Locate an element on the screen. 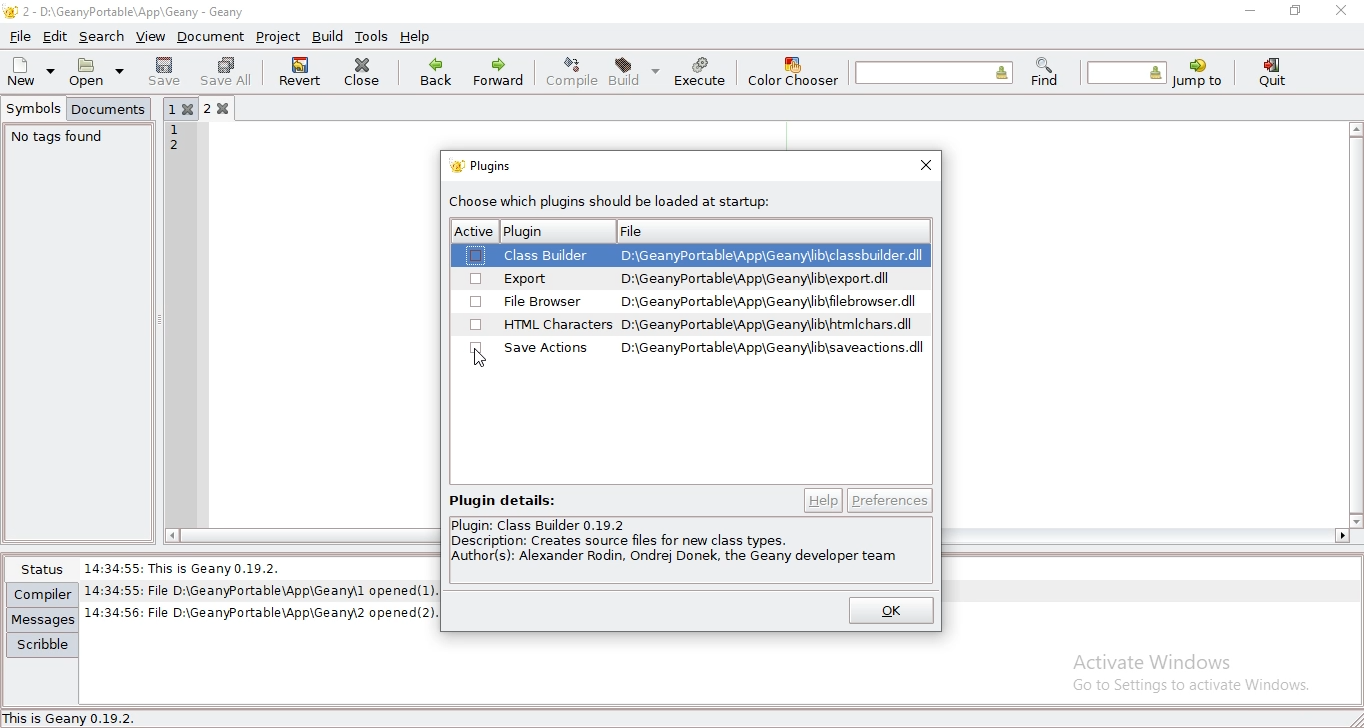 The width and height of the screenshot is (1364, 728). search is located at coordinates (103, 36).